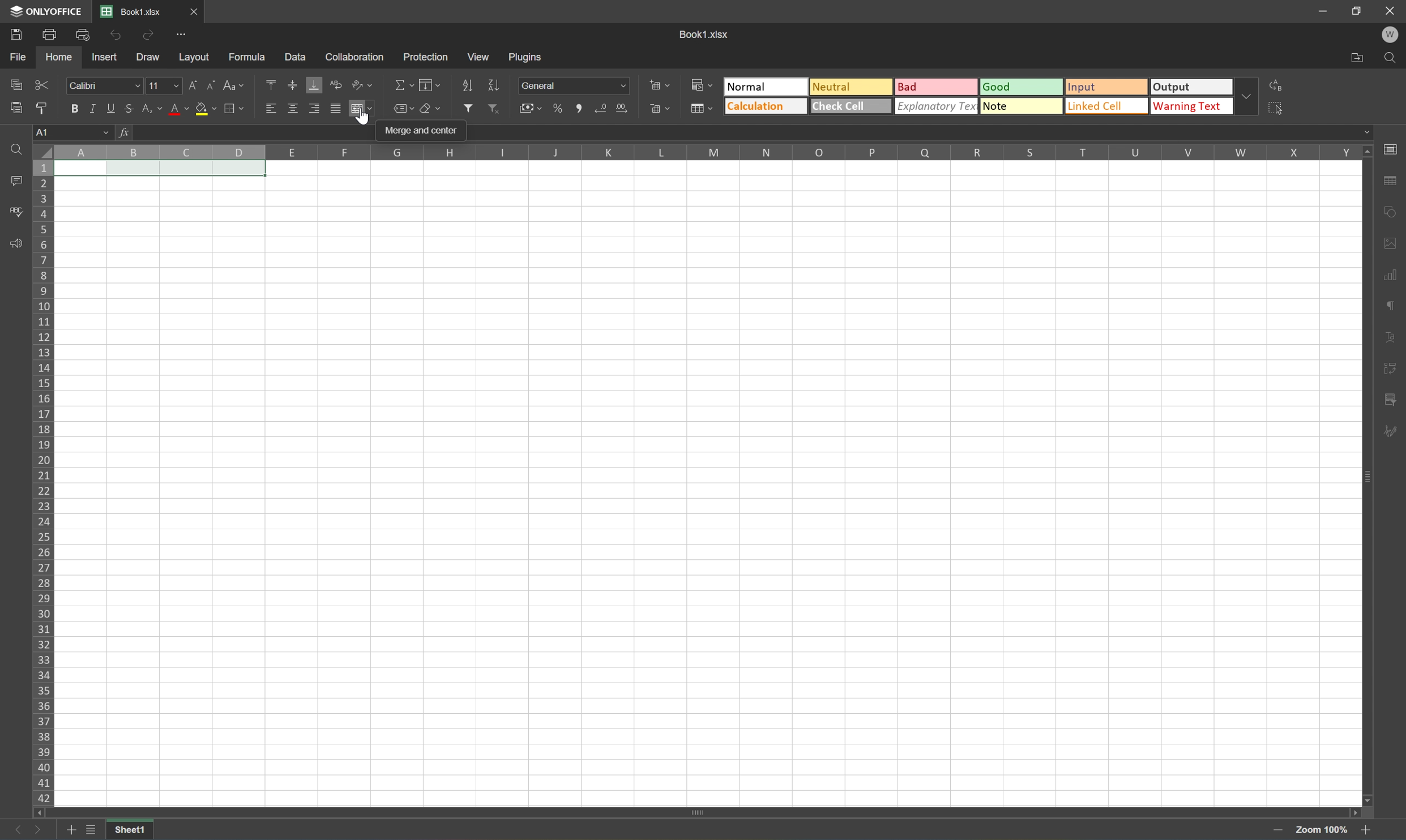  Describe the element at coordinates (16, 83) in the screenshot. I see `Copy` at that location.